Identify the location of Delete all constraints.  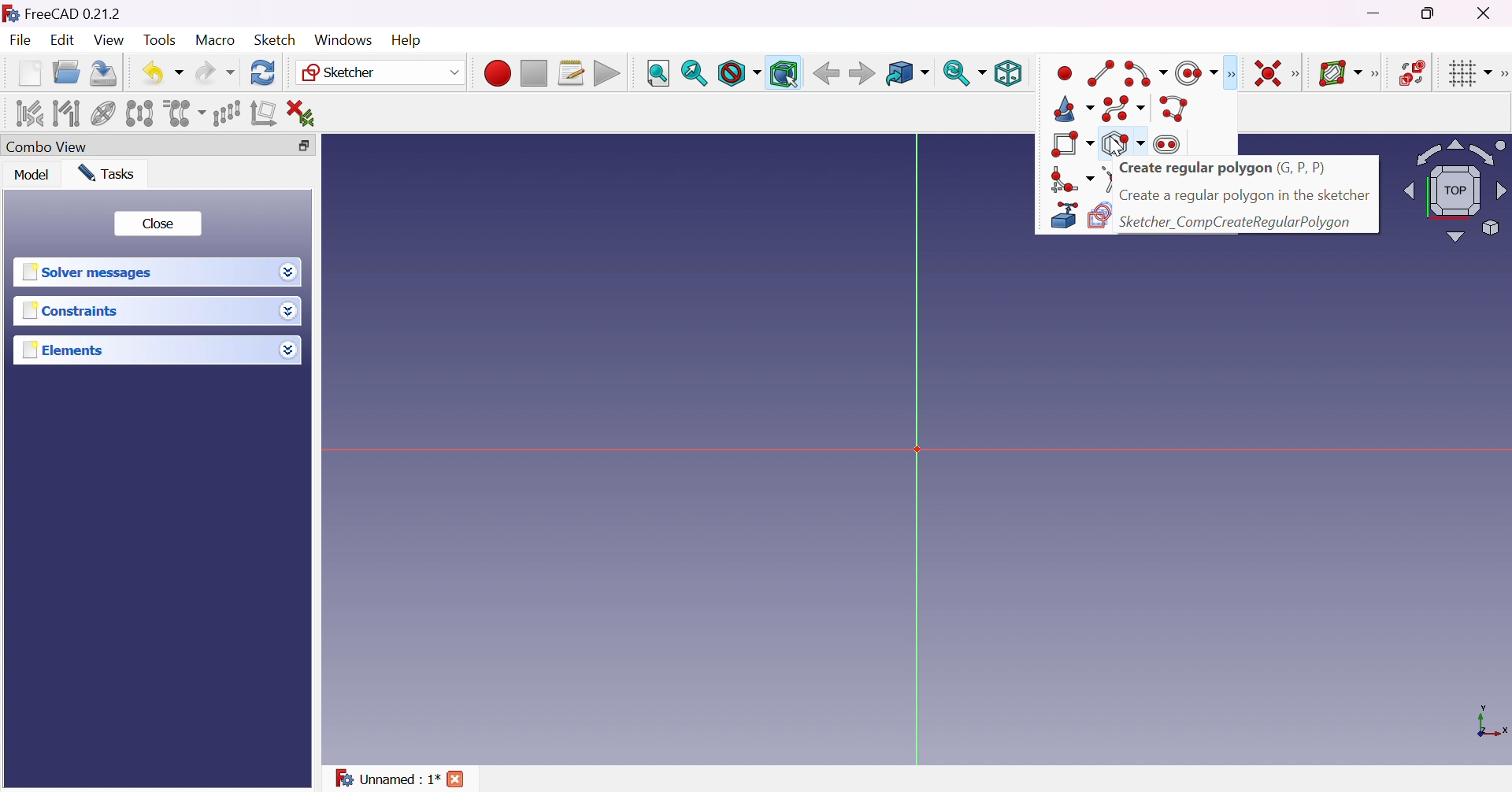
(306, 114).